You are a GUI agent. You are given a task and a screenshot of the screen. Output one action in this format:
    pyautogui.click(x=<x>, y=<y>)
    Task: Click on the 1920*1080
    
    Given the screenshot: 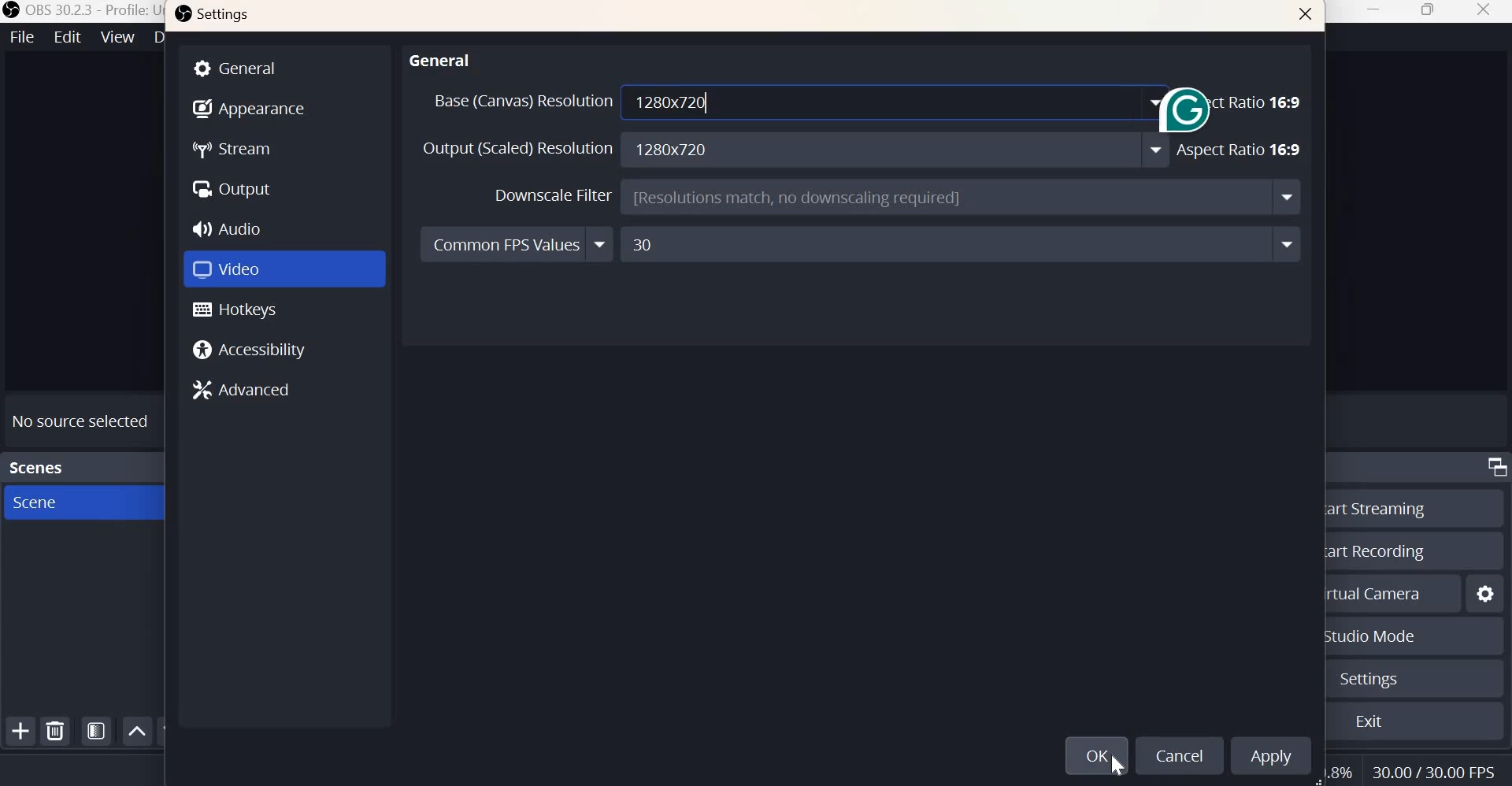 What is the action you would take?
    pyautogui.click(x=899, y=101)
    